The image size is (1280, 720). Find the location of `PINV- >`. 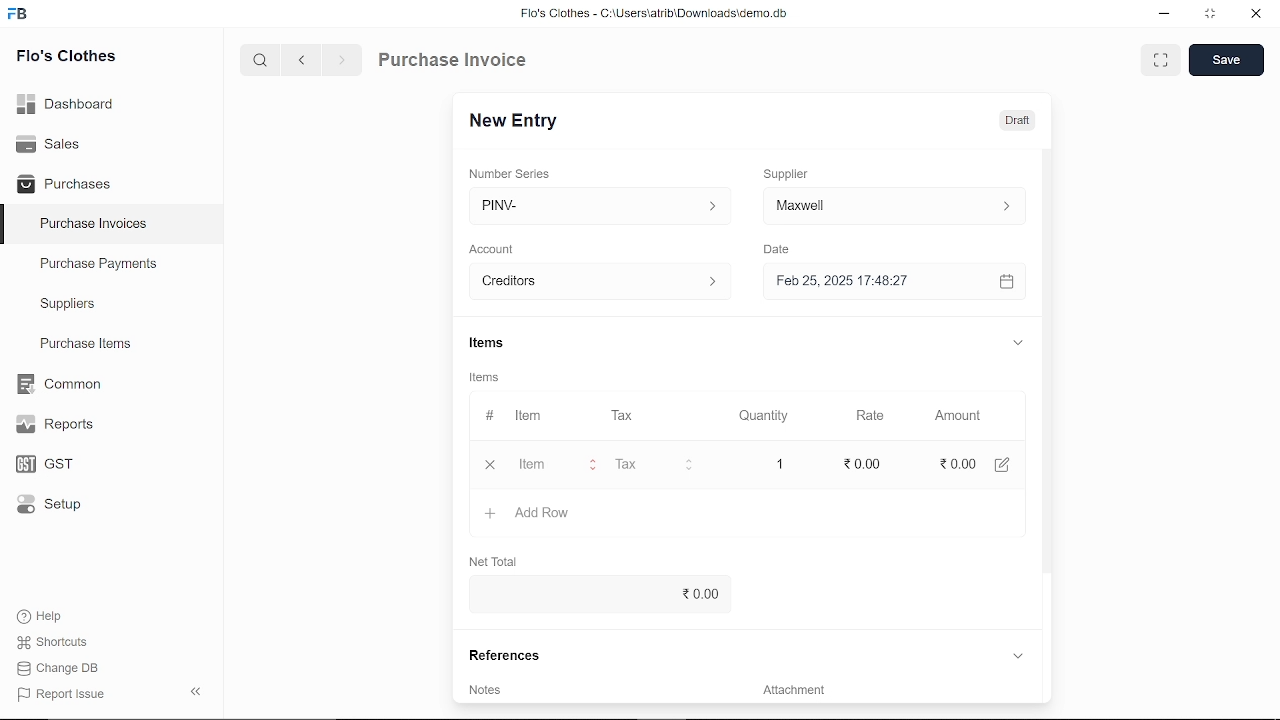

PINV- > is located at coordinates (593, 206).